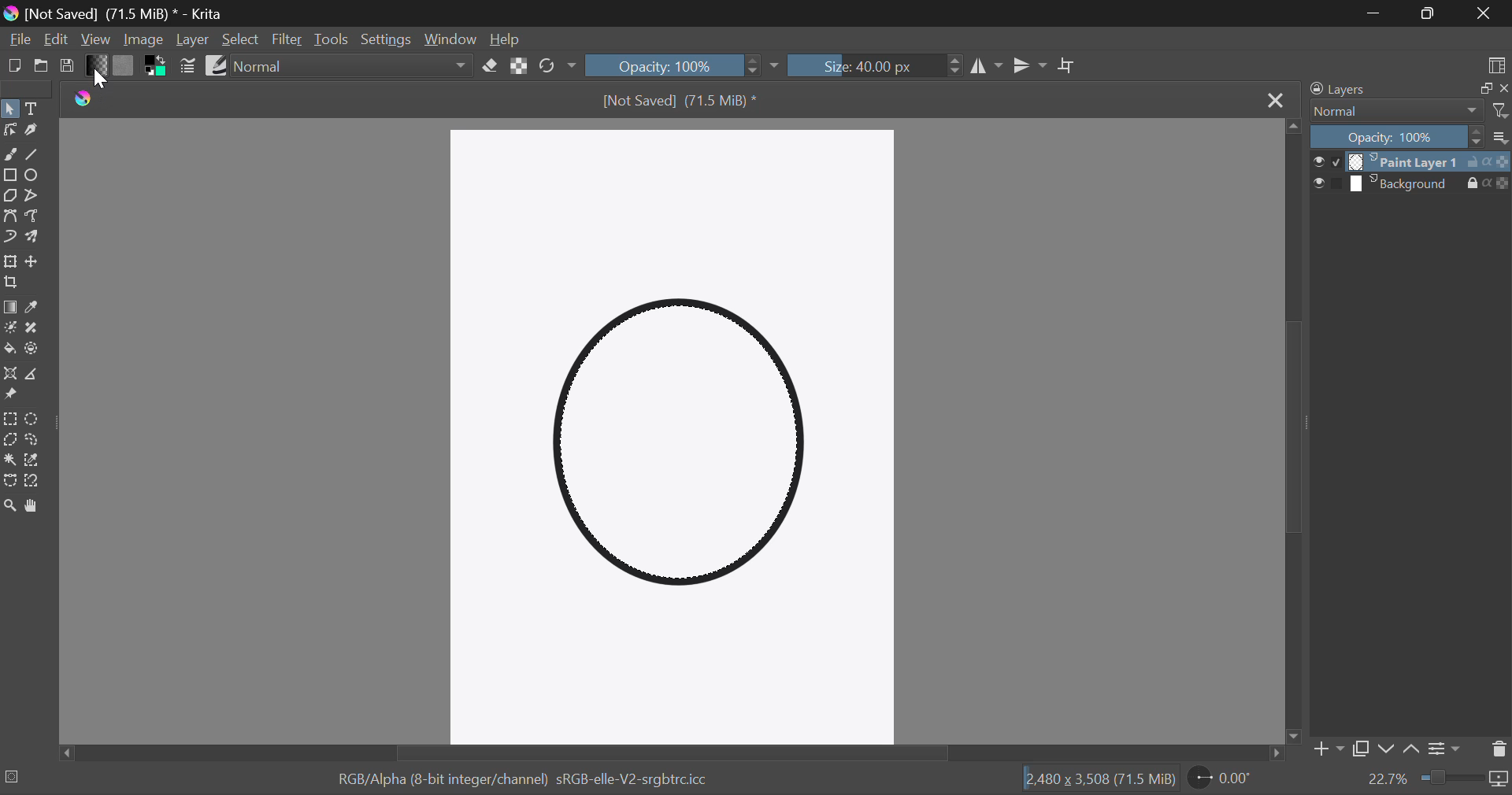 Image resolution: width=1512 pixels, height=795 pixels. I want to click on Gradient, so click(99, 68).